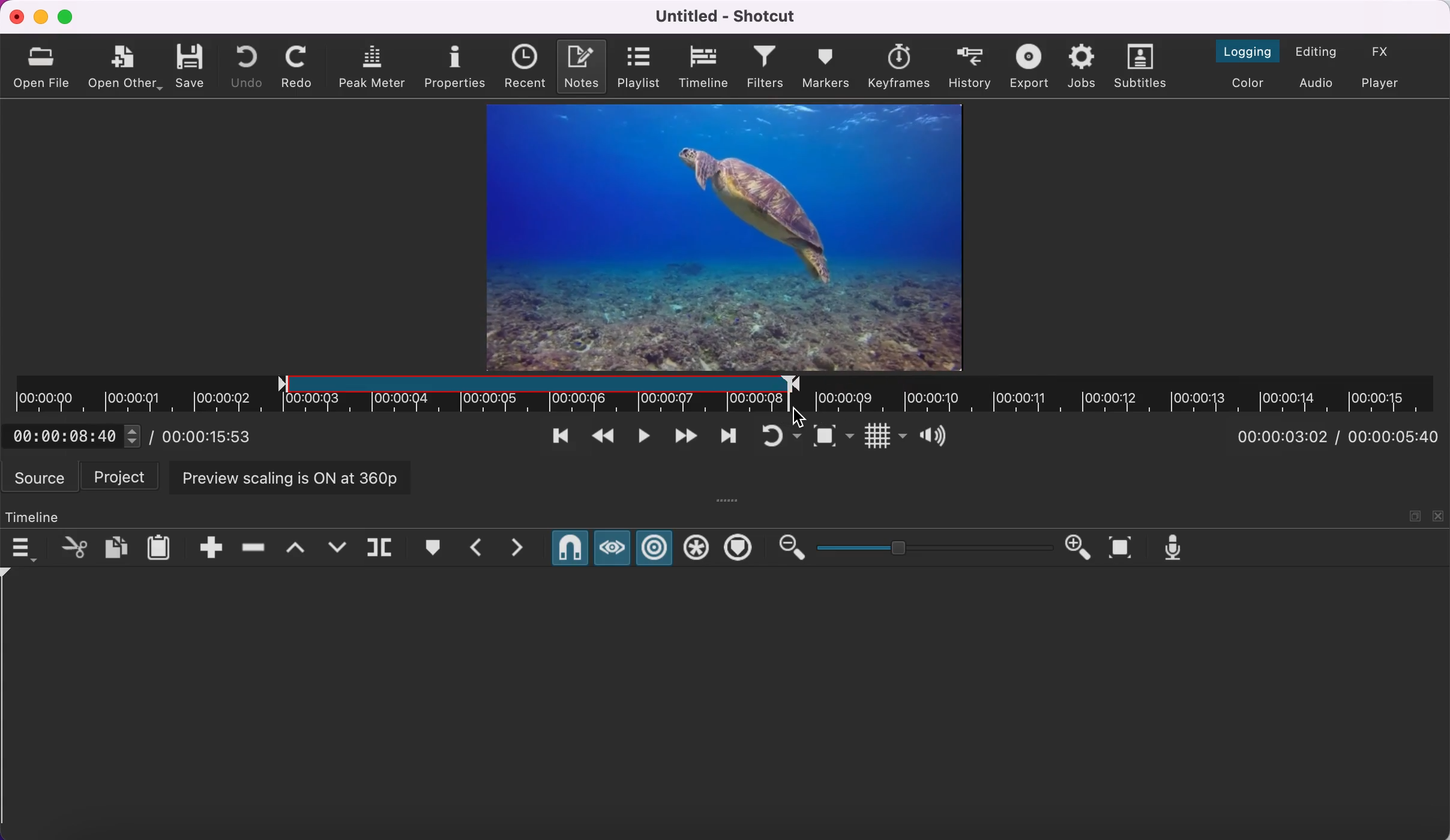  What do you see at coordinates (766, 67) in the screenshot?
I see `filters` at bounding box center [766, 67].